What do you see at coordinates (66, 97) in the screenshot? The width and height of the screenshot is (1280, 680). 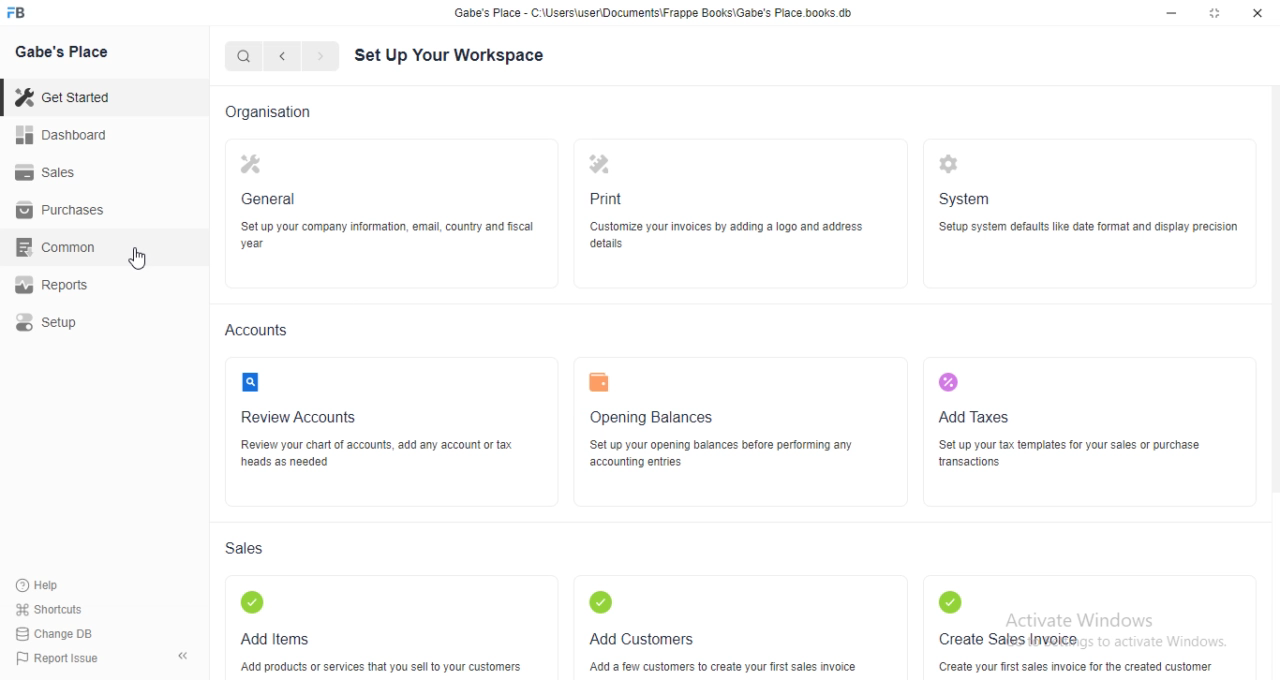 I see `Get Started` at bounding box center [66, 97].